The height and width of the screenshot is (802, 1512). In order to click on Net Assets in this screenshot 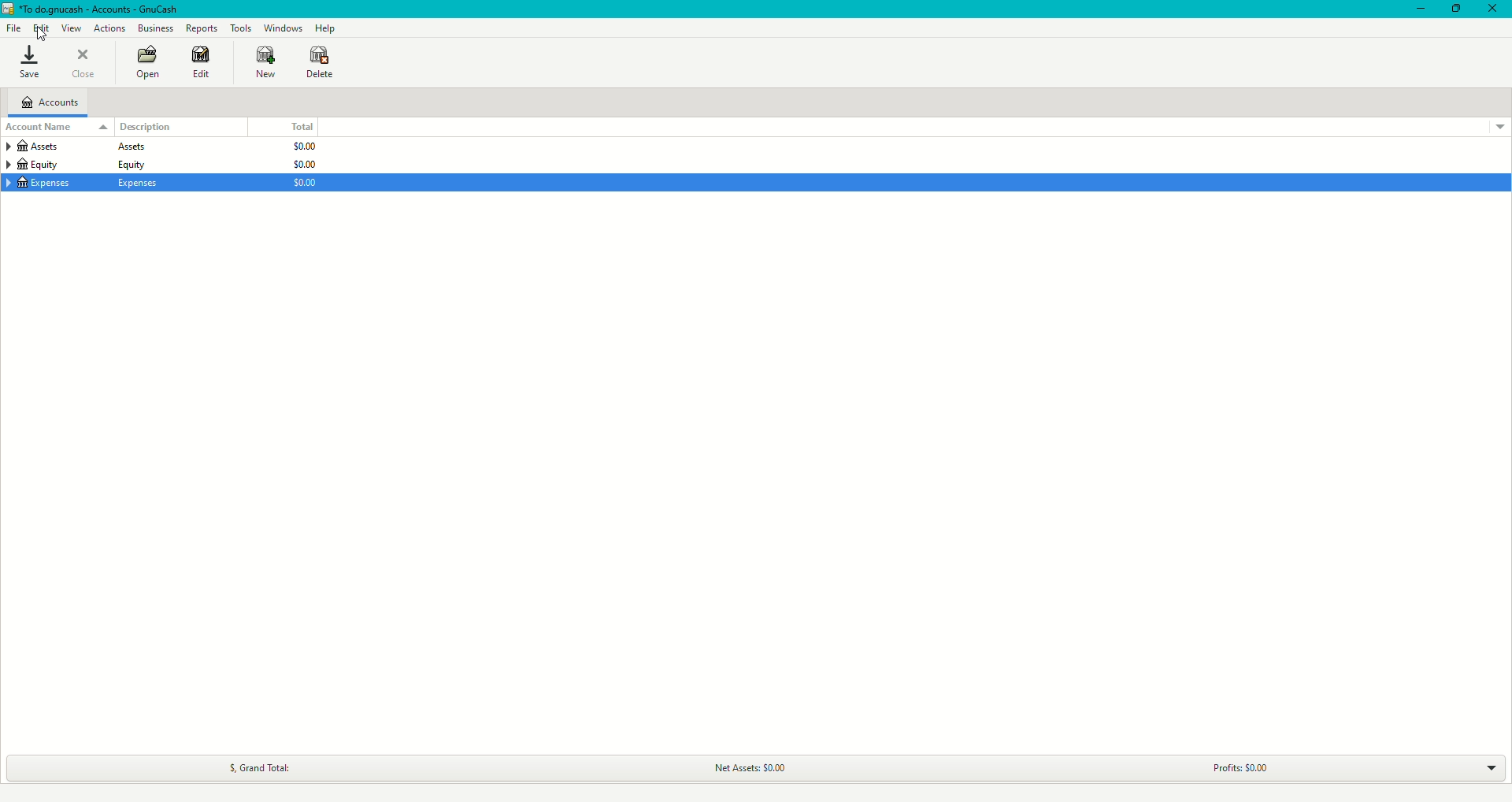, I will do `click(745, 768)`.